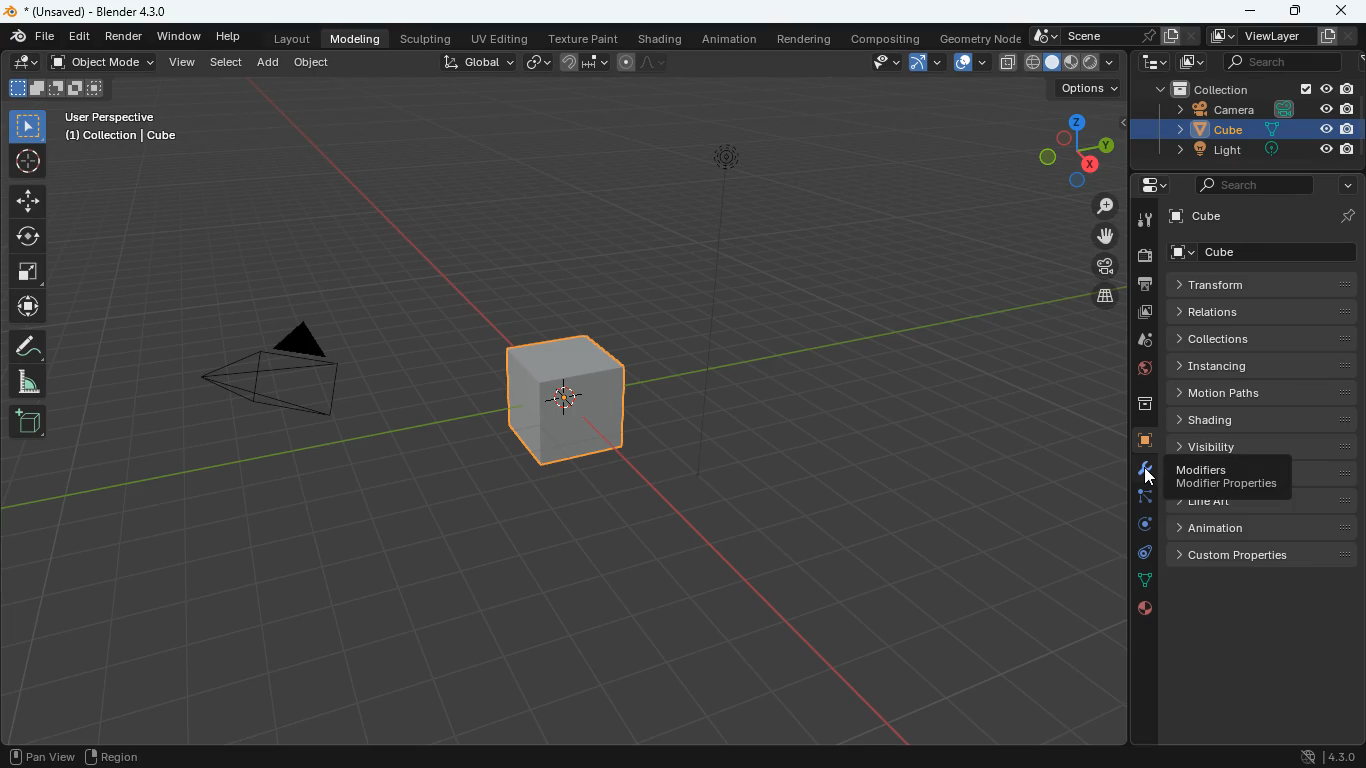 This screenshot has height=768, width=1366. What do you see at coordinates (29, 382) in the screenshot?
I see `angle` at bounding box center [29, 382].